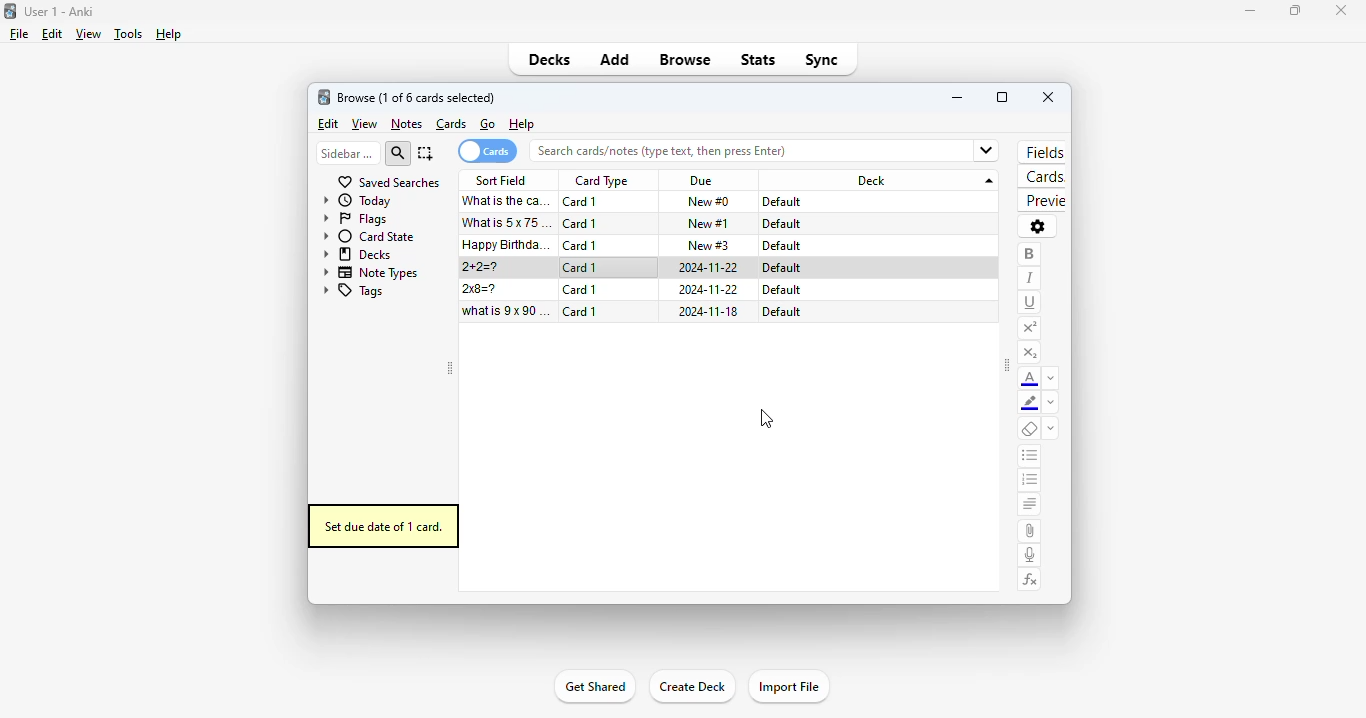  What do you see at coordinates (1030, 404) in the screenshot?
I see `text highlighting color` at bounding box center [1030, 404].